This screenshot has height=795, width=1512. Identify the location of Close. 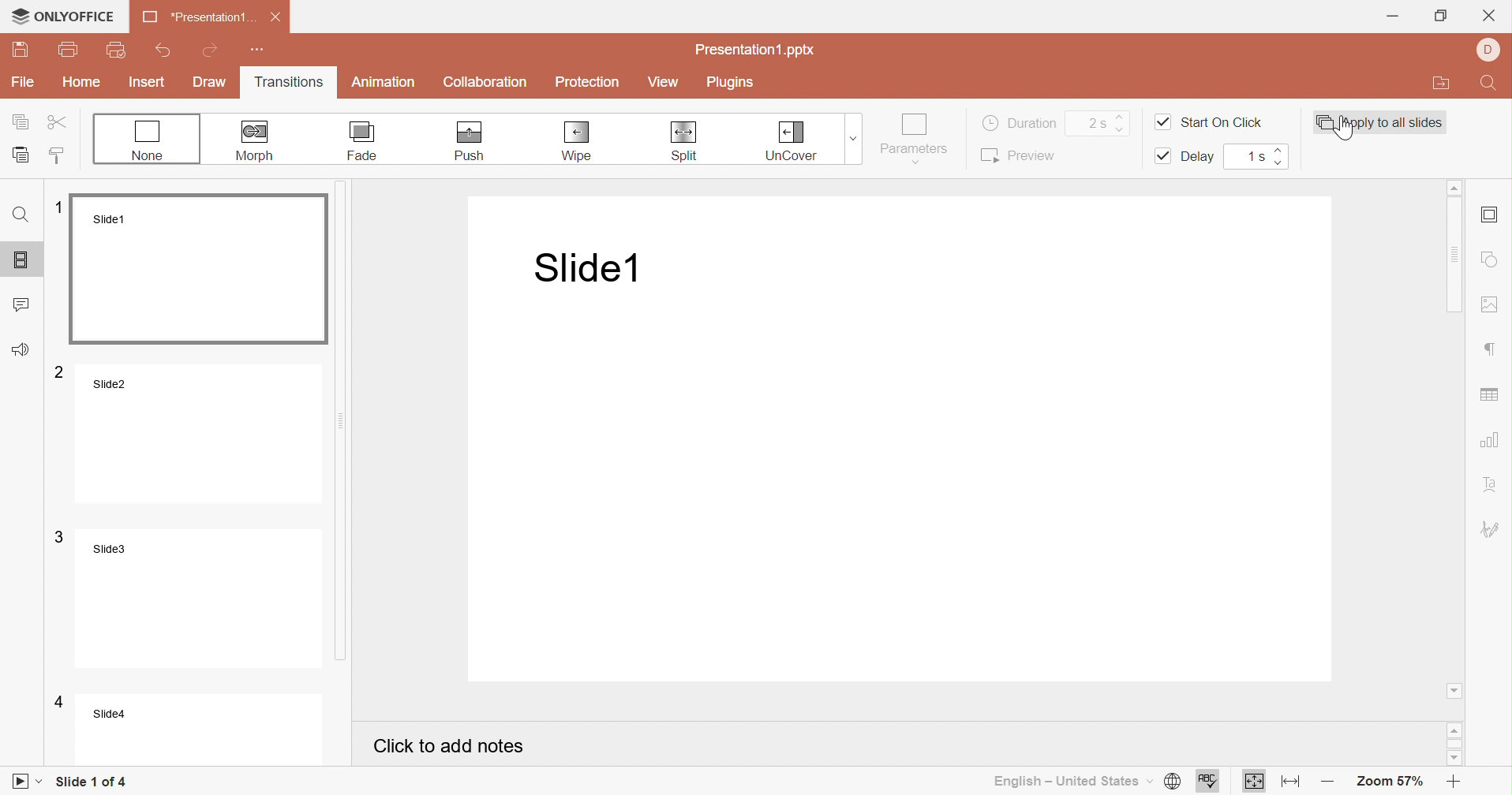
(1491, 15).